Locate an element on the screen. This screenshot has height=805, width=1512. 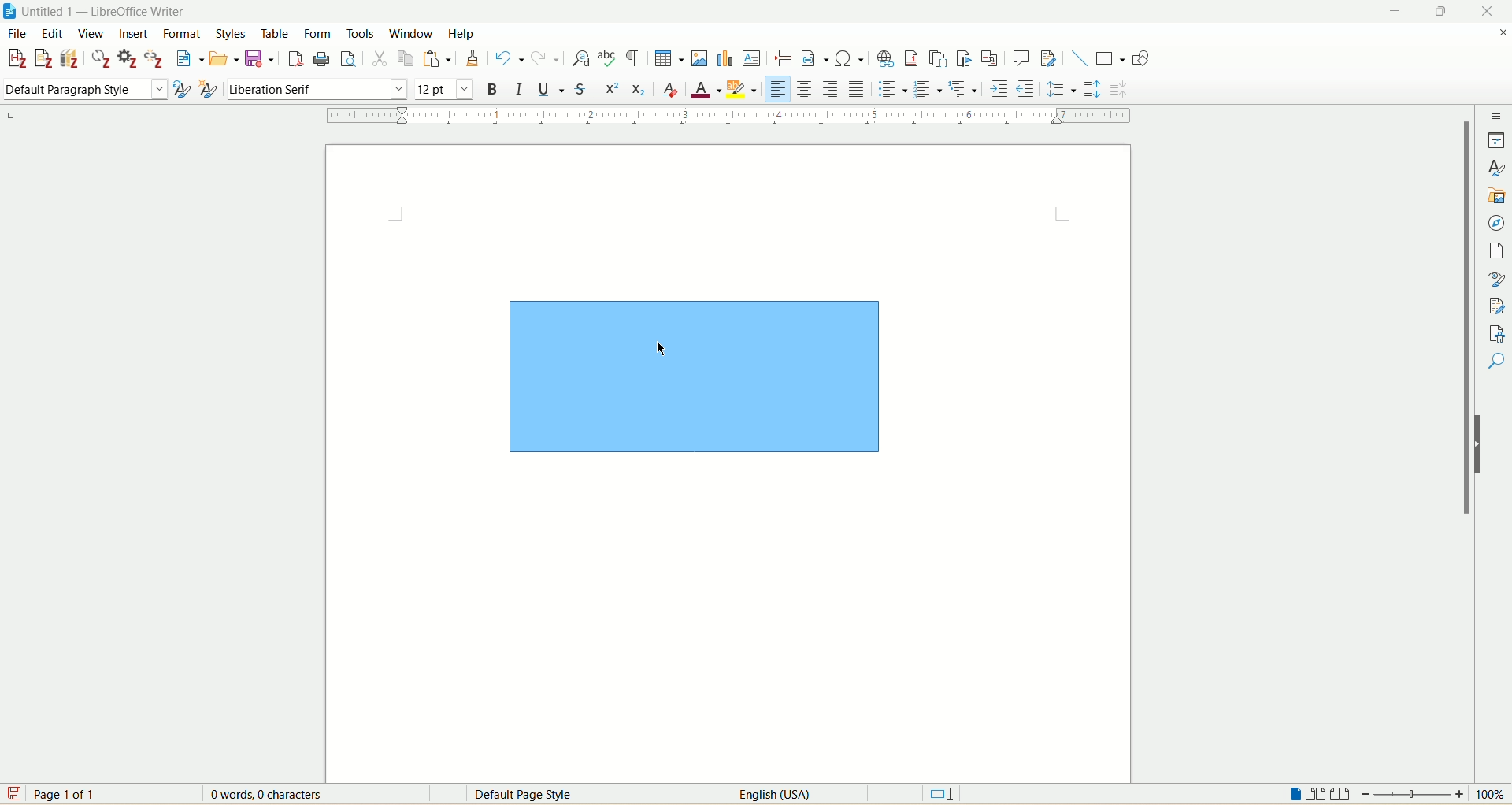
style is located at coordinates (1498, 169).